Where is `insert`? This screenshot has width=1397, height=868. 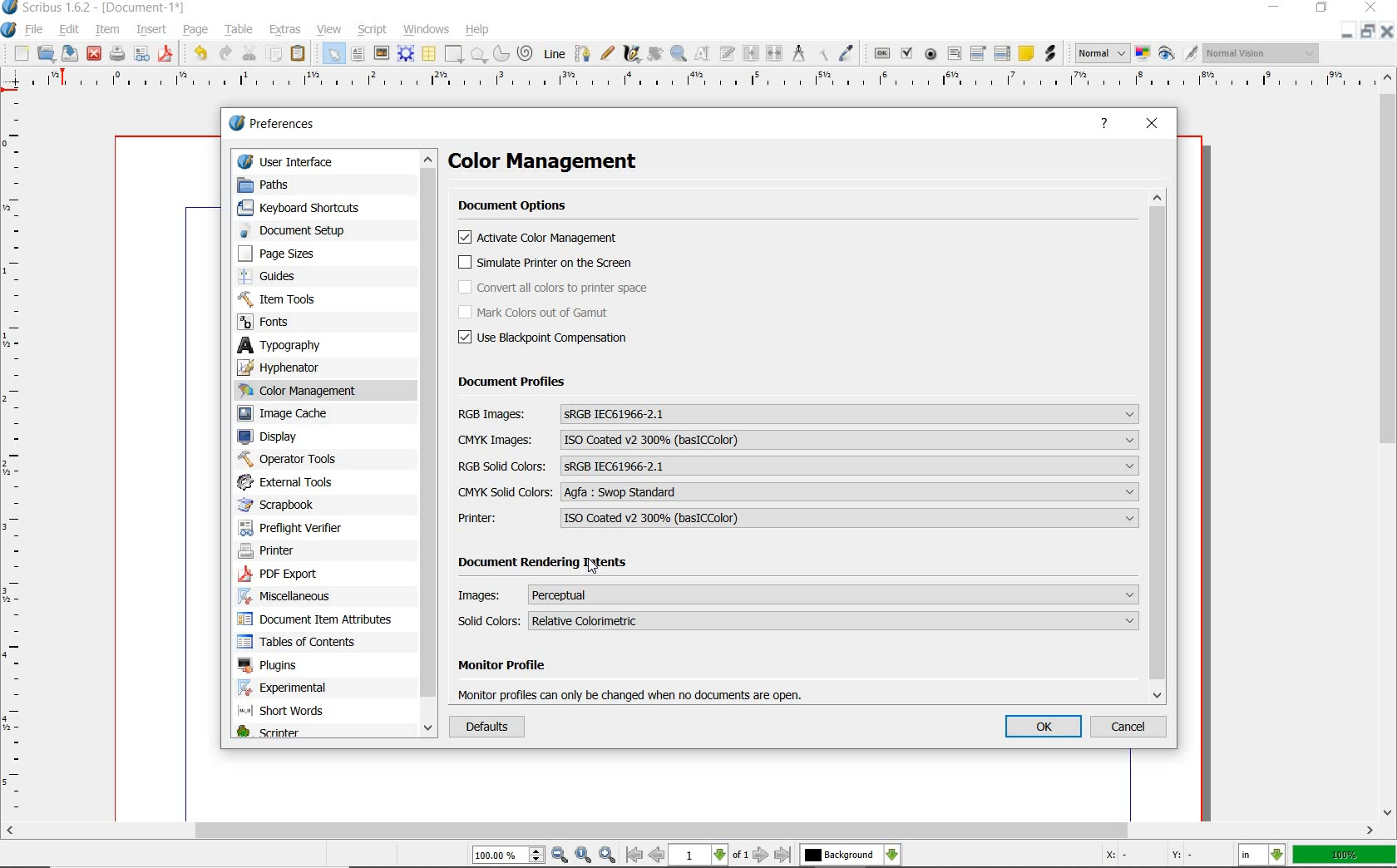 insert is located at coordinates (151, 28).